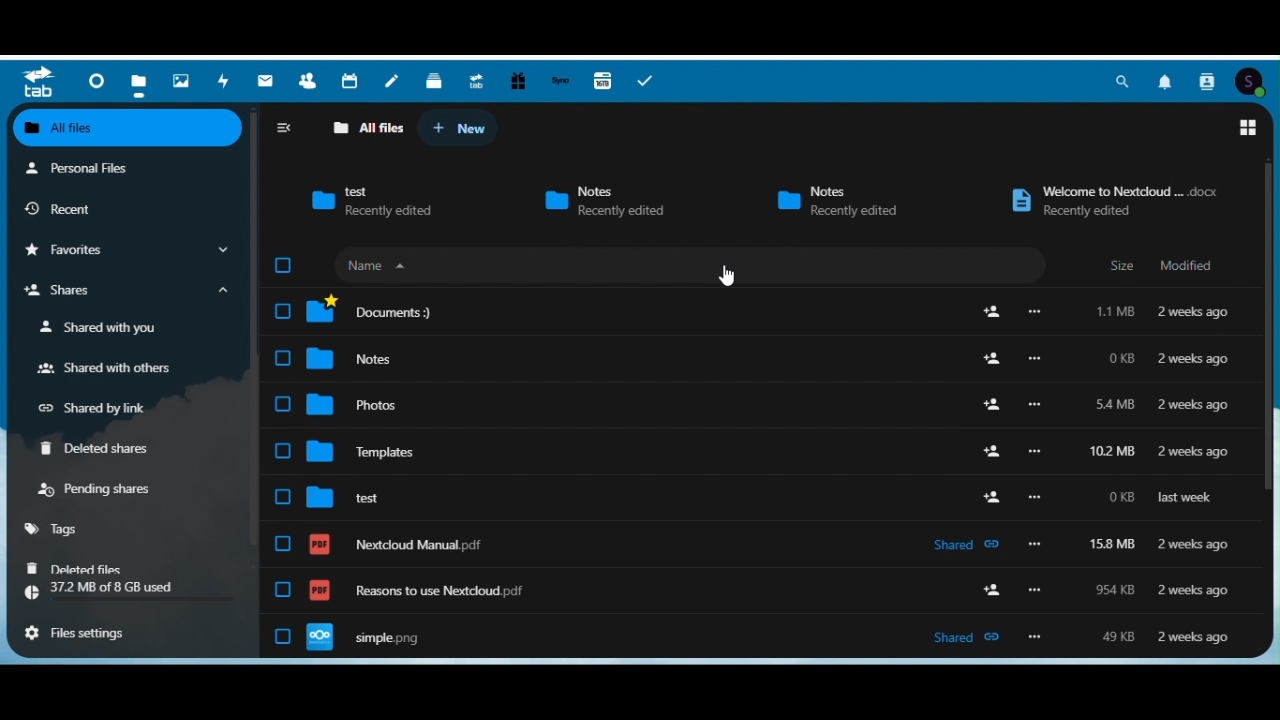 This screenshot has height=720, width=1280. Describe the element at coordinates (760, 311) in the screenshot. I see `Documents:)` at that location.